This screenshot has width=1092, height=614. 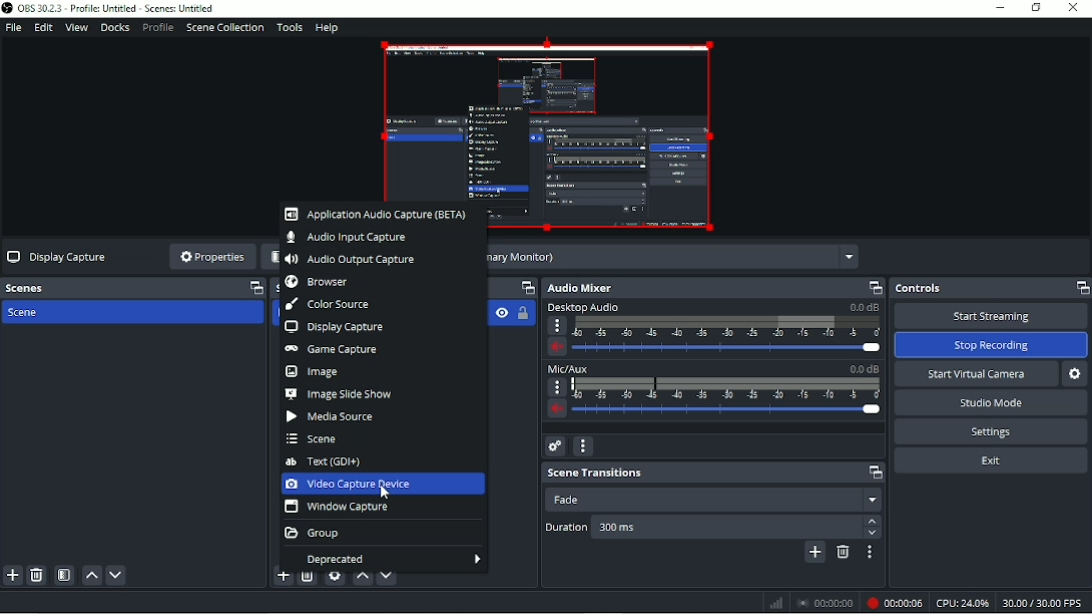 I want to click on Scenes, so click(x=133, y=287).